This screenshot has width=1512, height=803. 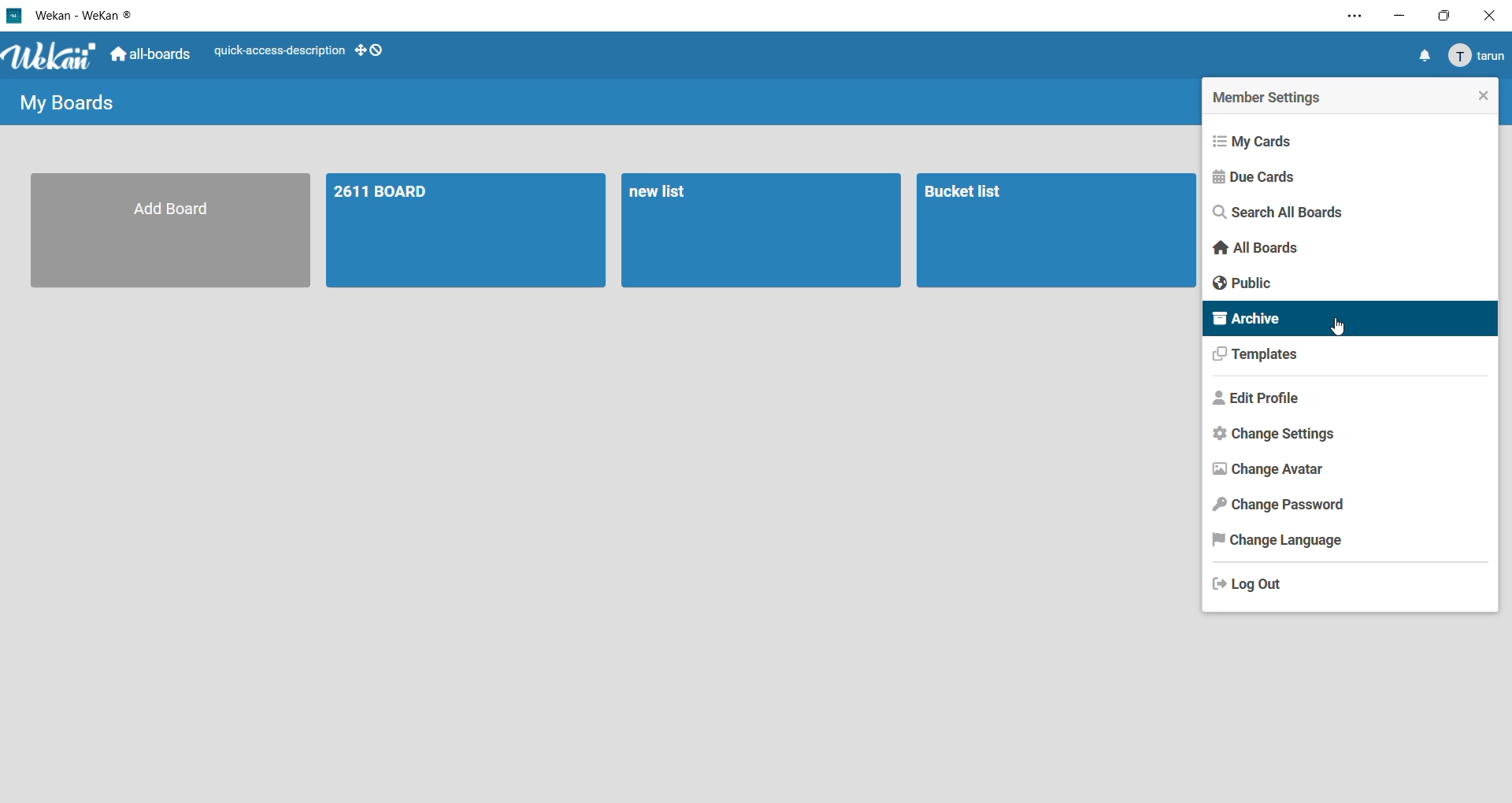 I want to click on edit profile, so click(x=1257, y=402).